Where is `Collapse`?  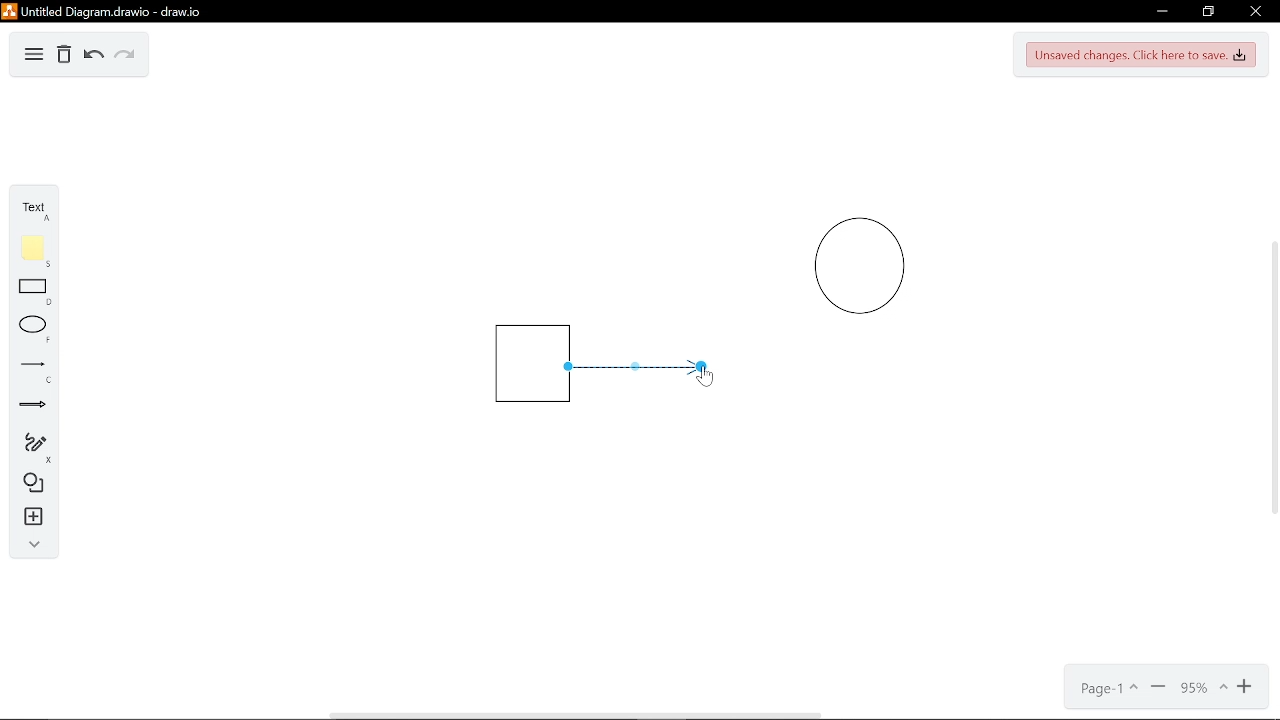
Collapse is located at coordinates (28, 544).